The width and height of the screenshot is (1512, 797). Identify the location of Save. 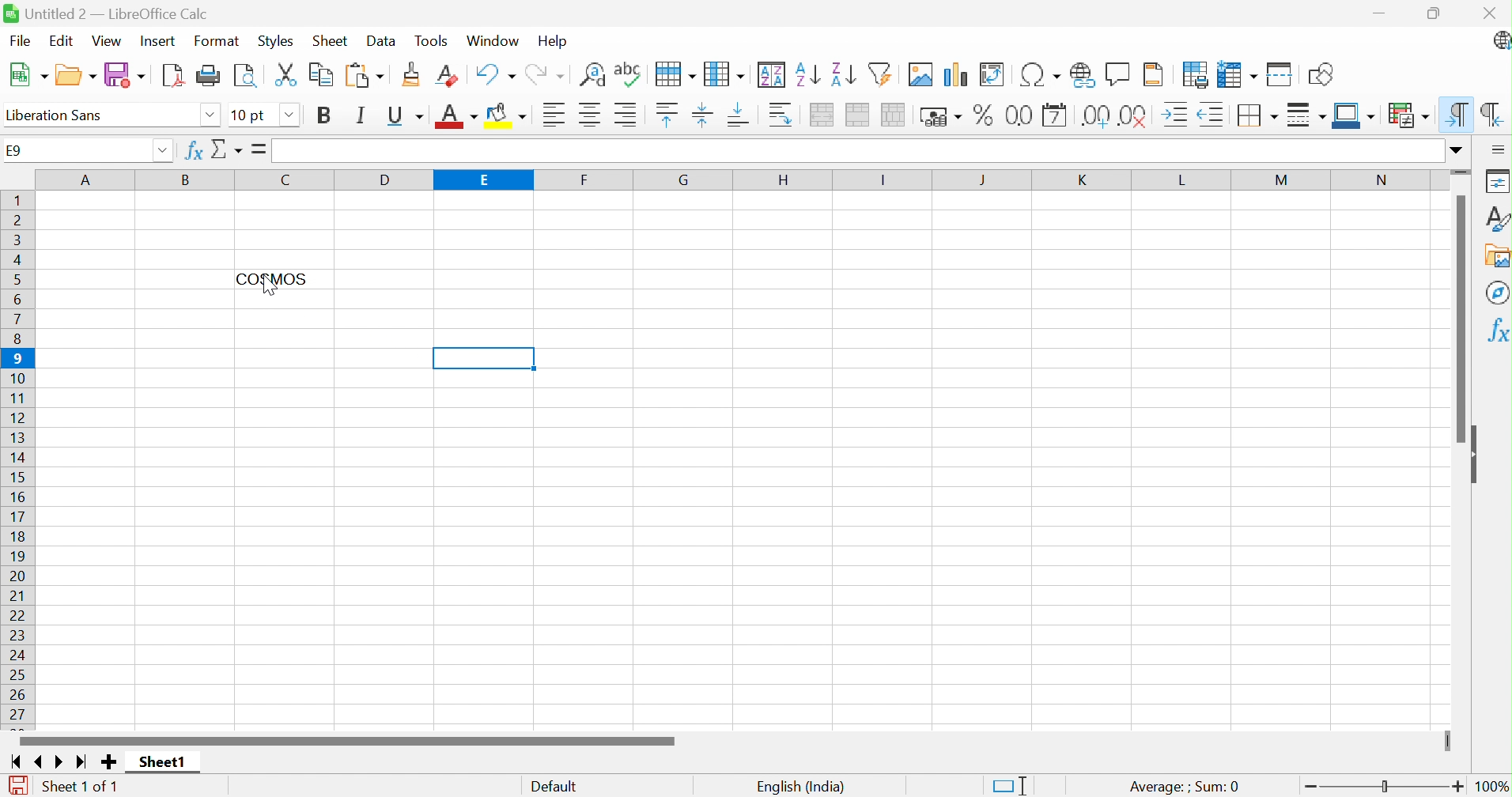
(127, 74).